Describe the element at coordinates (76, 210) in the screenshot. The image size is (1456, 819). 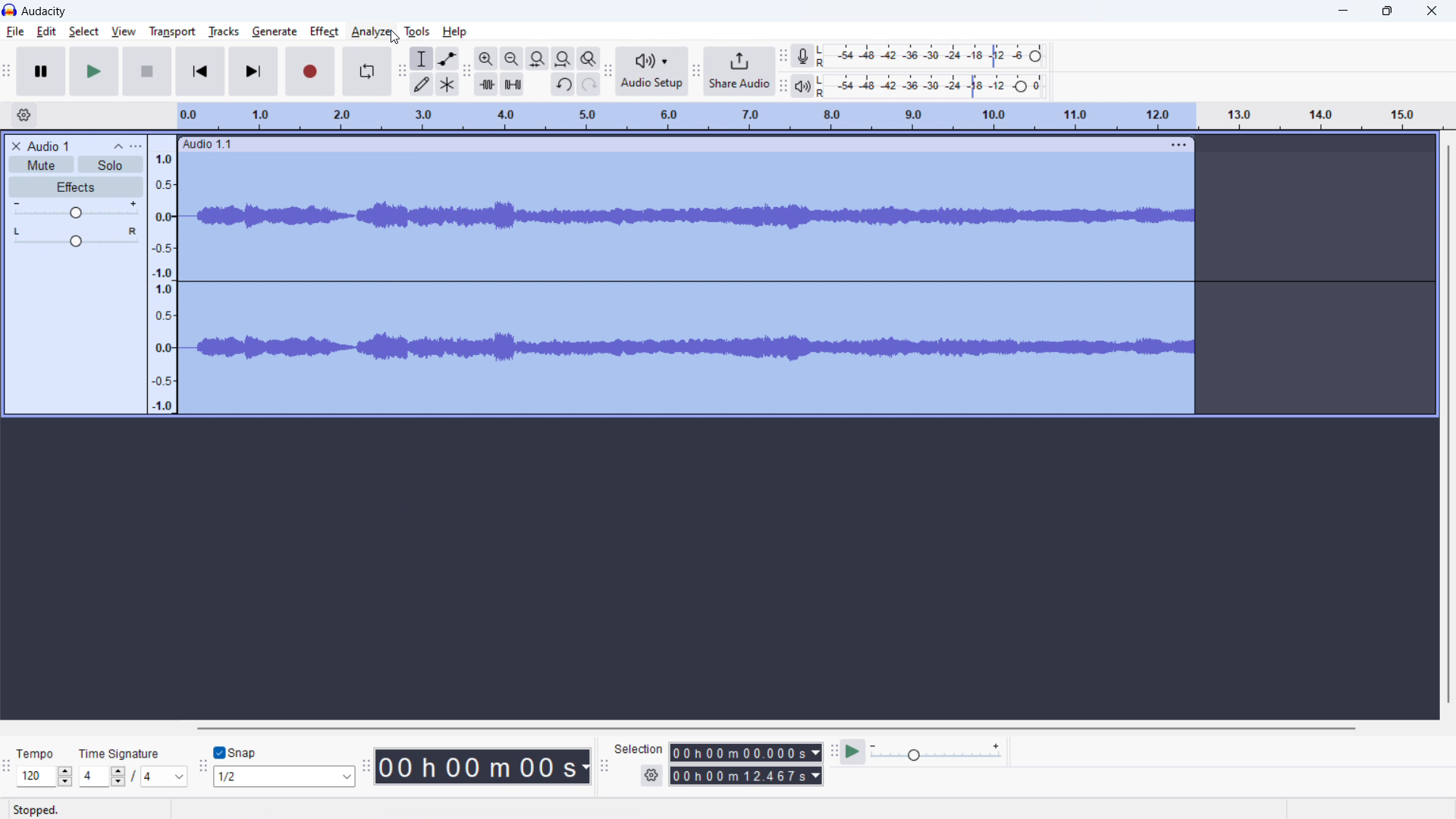
I see `gain` at that location.